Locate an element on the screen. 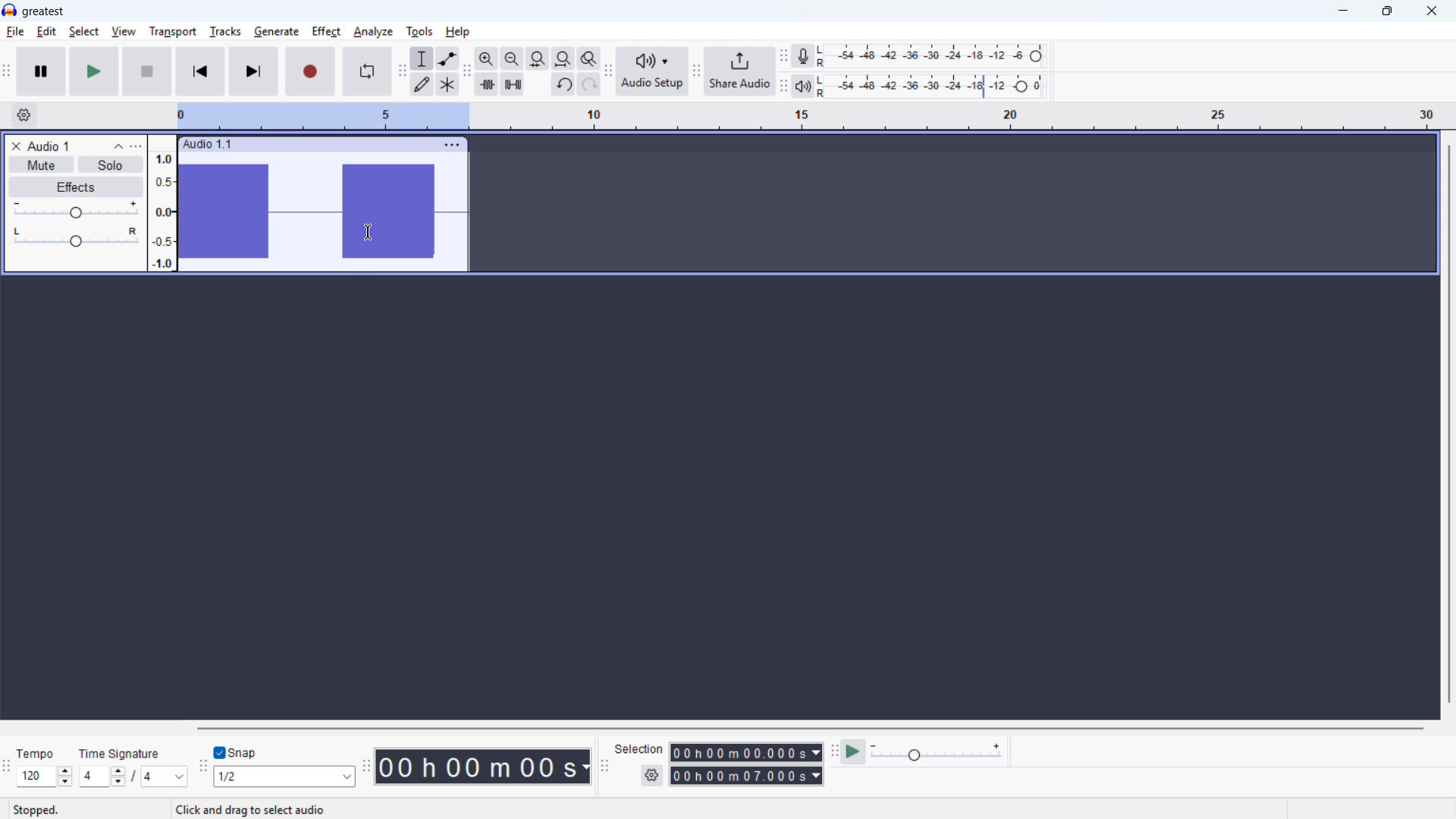 Image resolution: width=1456 pixels, height=819 pixels. Playback metre  is located at coordinates (802, 86).